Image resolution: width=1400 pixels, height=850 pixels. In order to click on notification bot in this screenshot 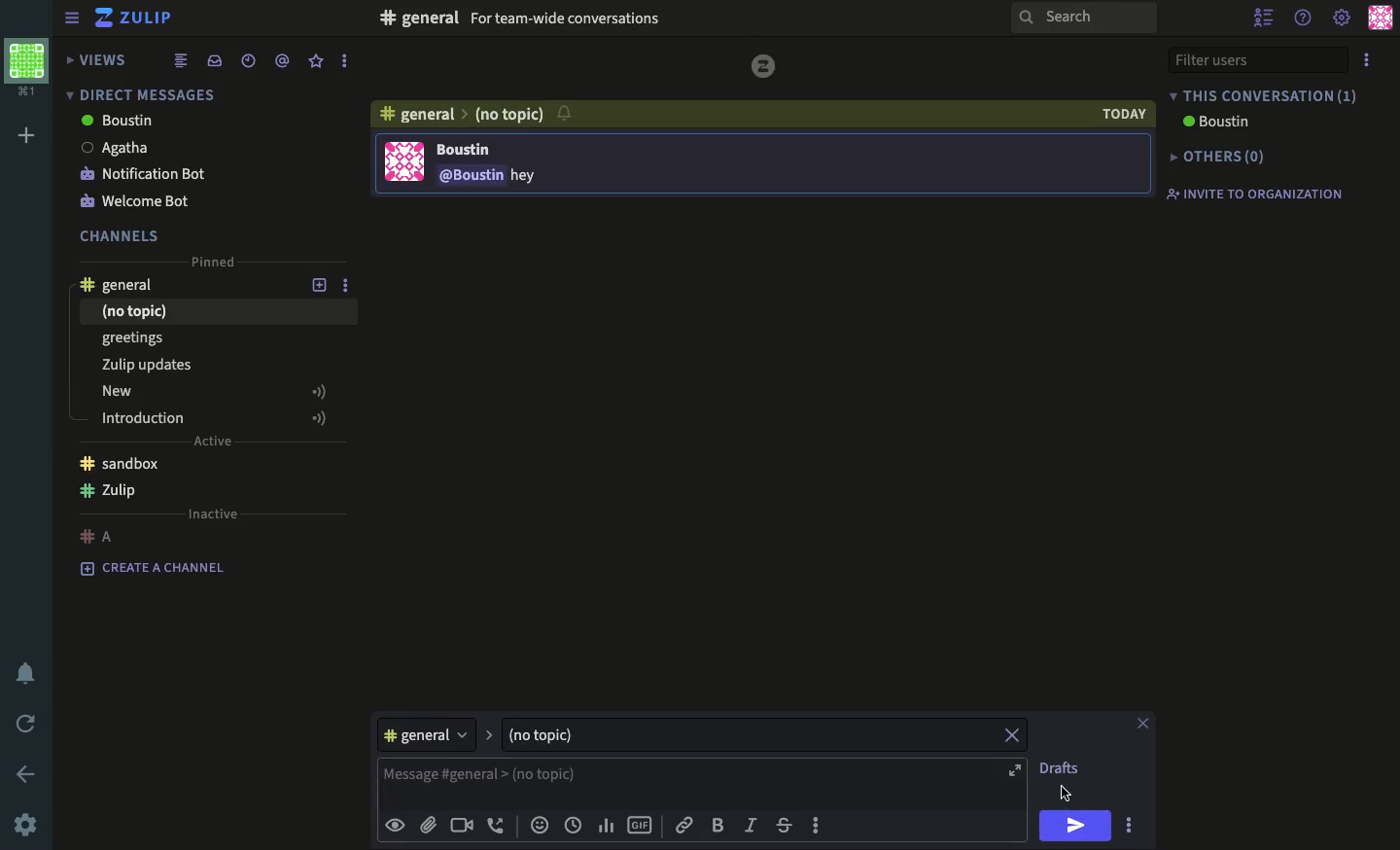, I will do `click(144, 175)`.